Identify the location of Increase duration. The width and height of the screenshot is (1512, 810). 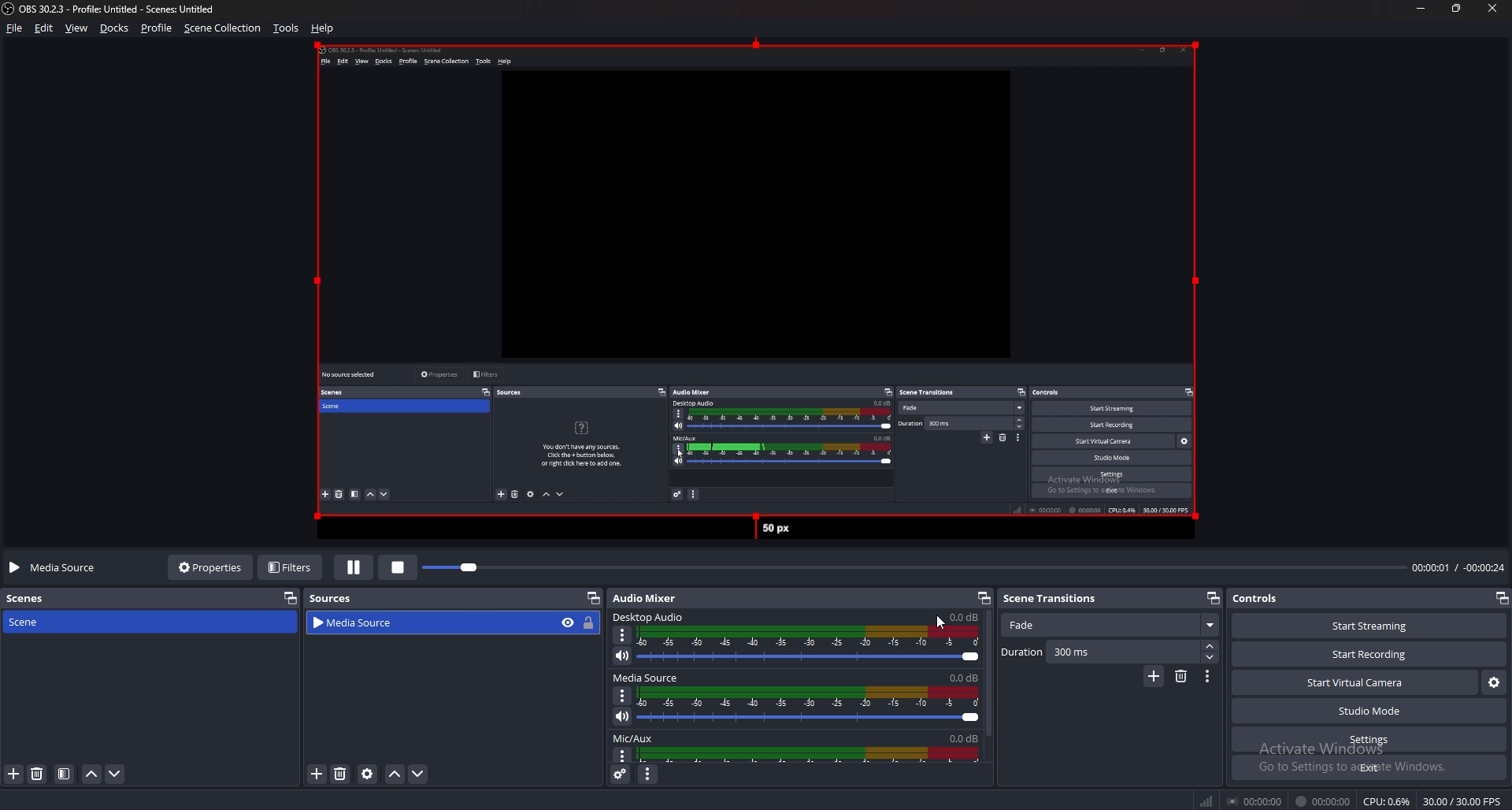
(1212, 646).